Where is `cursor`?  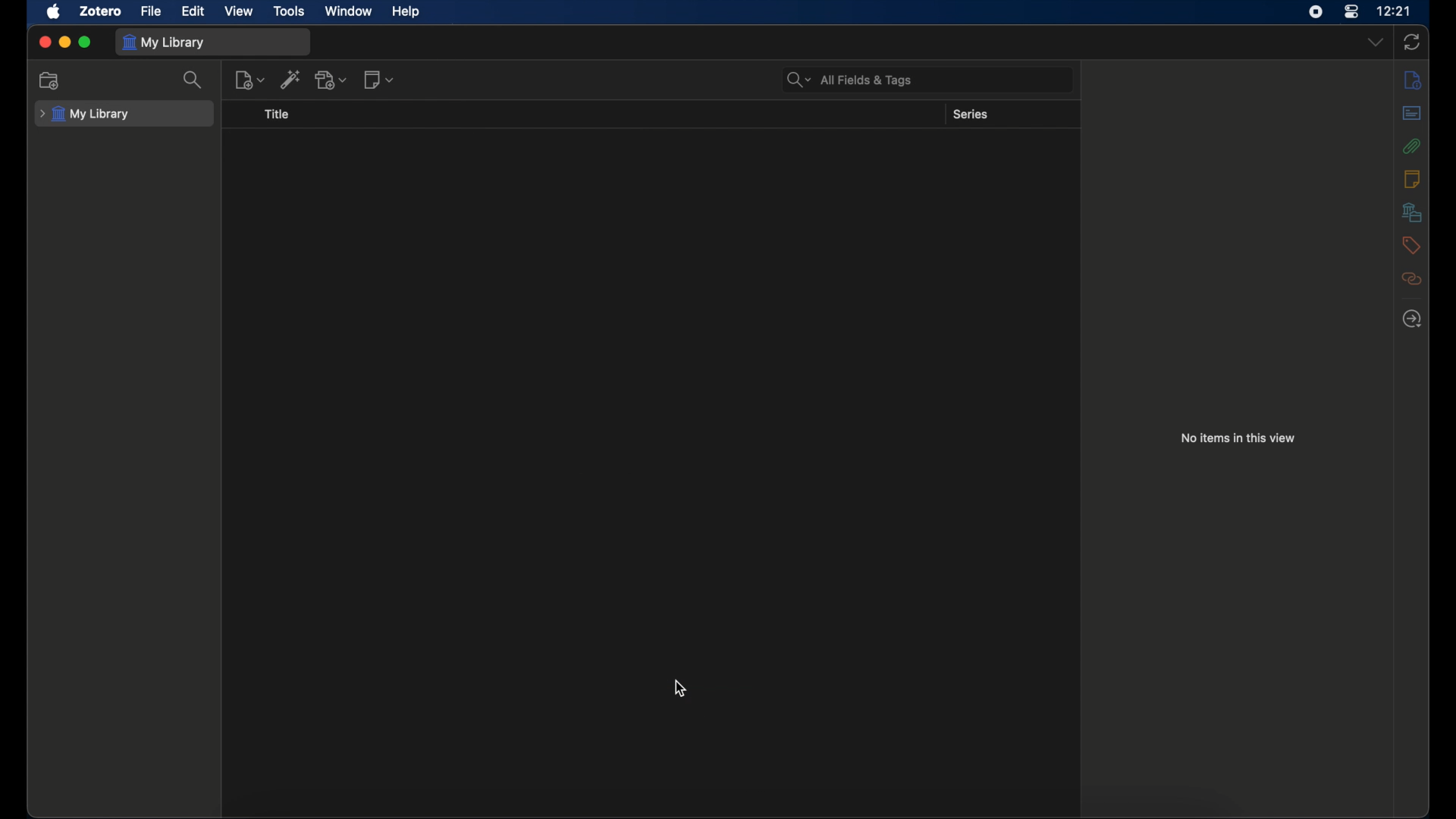 cursor is located at coordinates (681, 690).